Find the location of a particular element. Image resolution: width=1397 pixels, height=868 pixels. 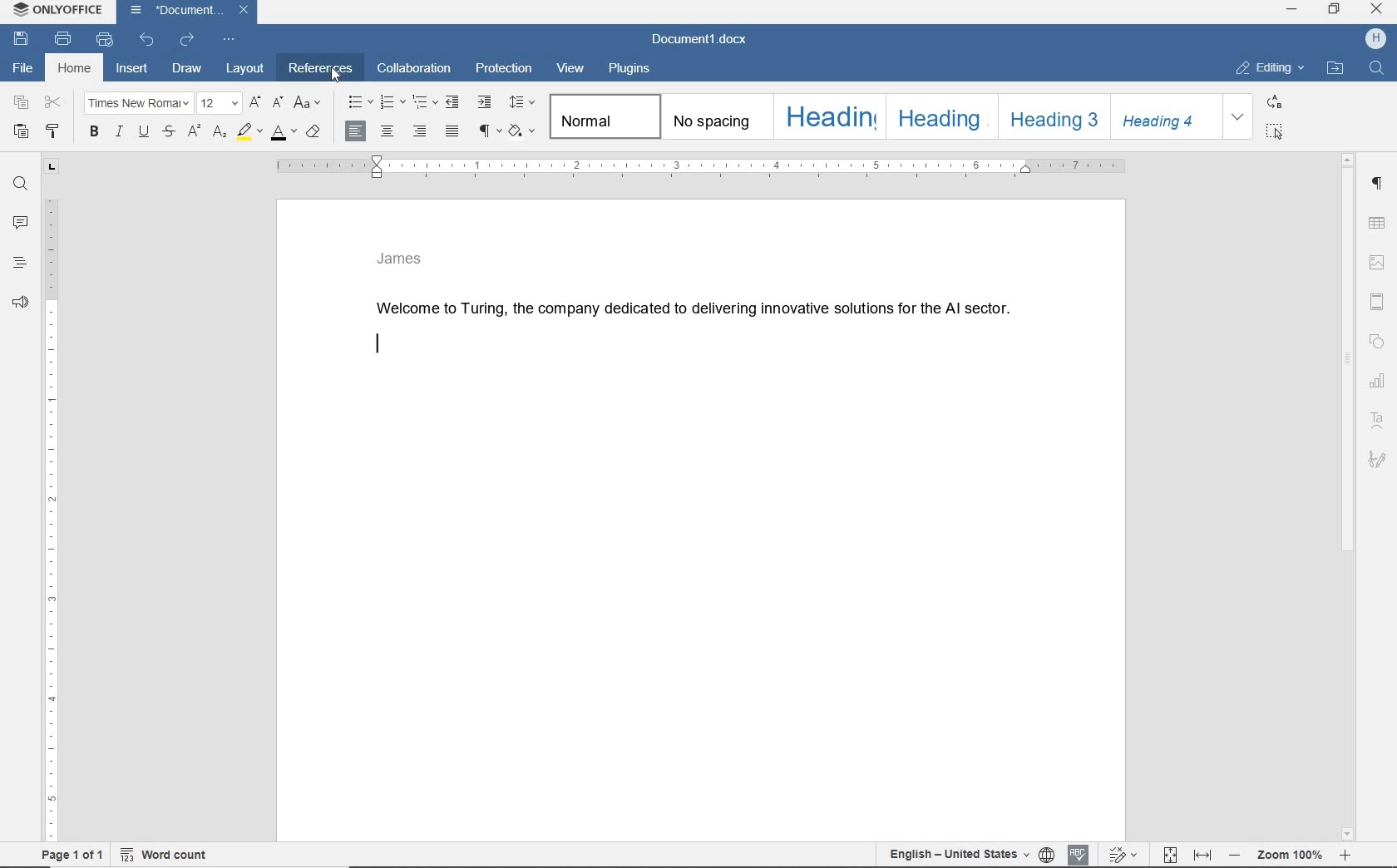

undo is located at coordinates (147, 41).